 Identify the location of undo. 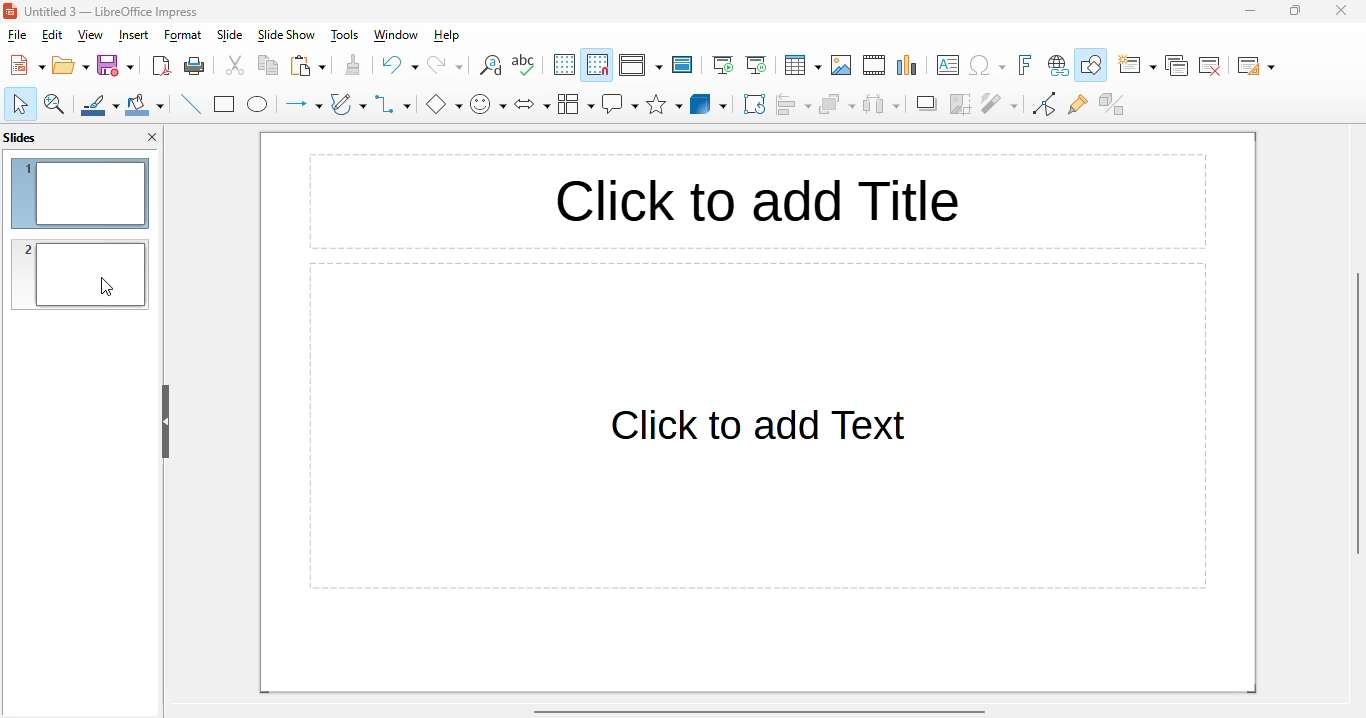
(399, 66).